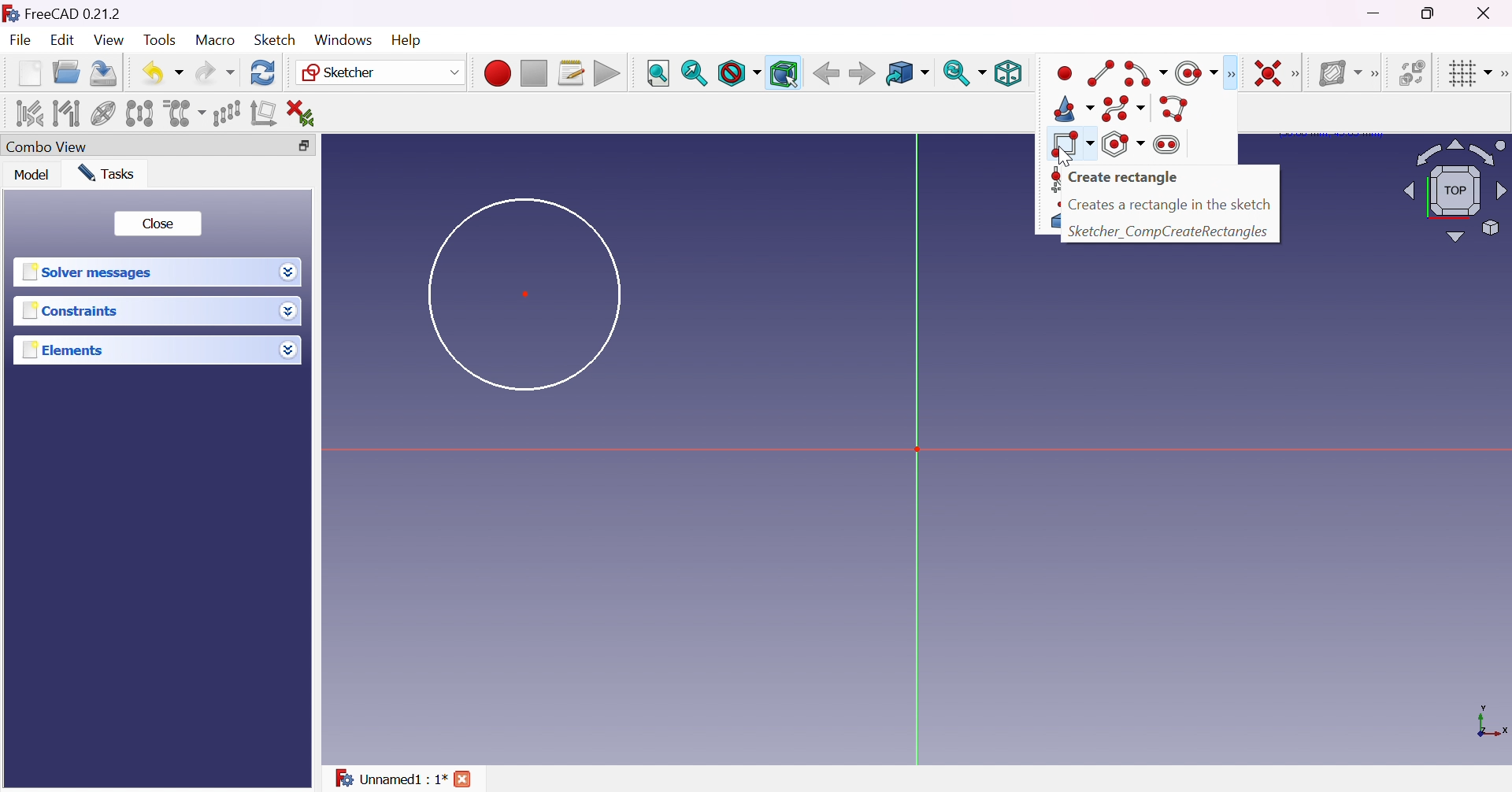  I want to click on File, so click(22, 42).